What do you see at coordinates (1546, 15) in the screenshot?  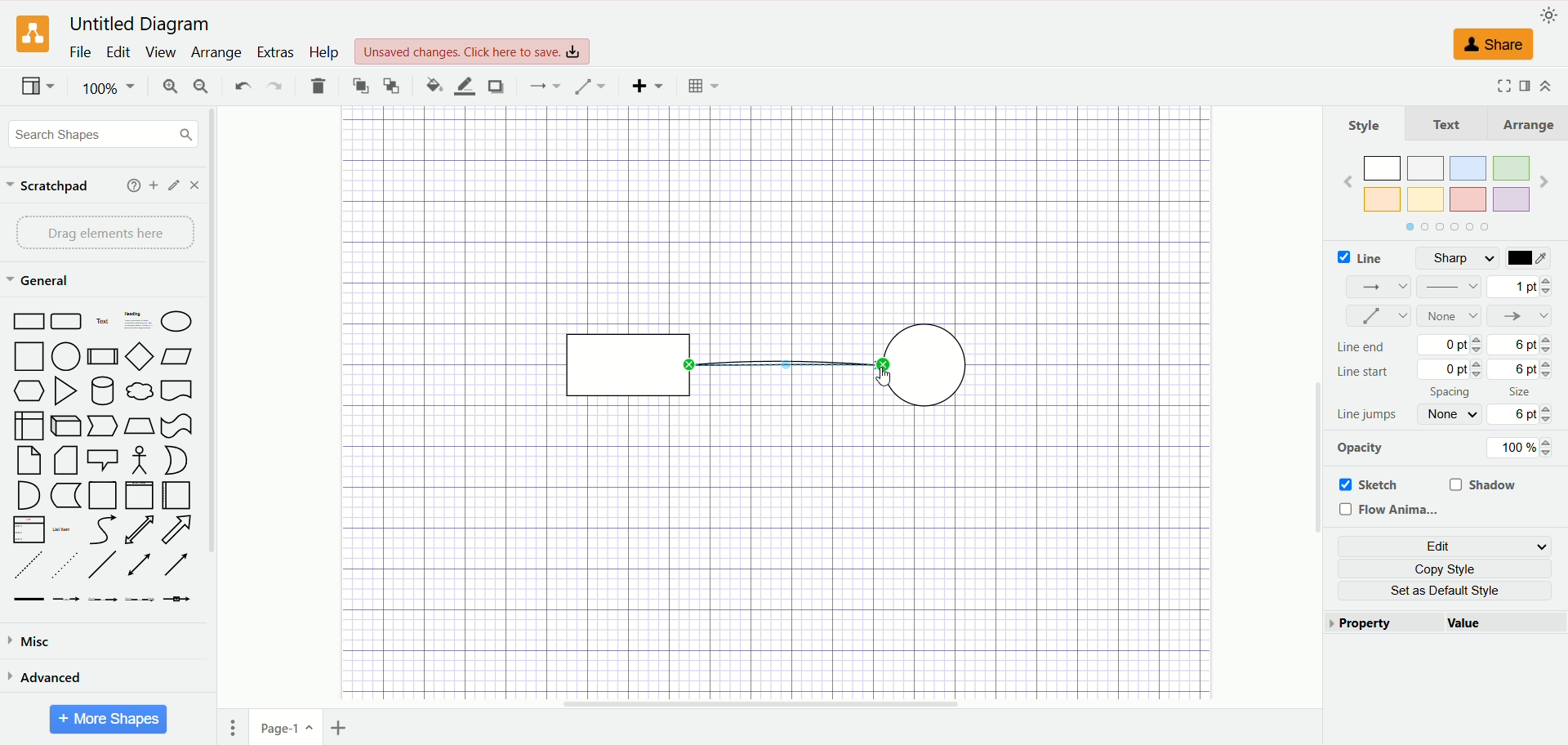 I see `appearance` at bounding box center [1546, 15].